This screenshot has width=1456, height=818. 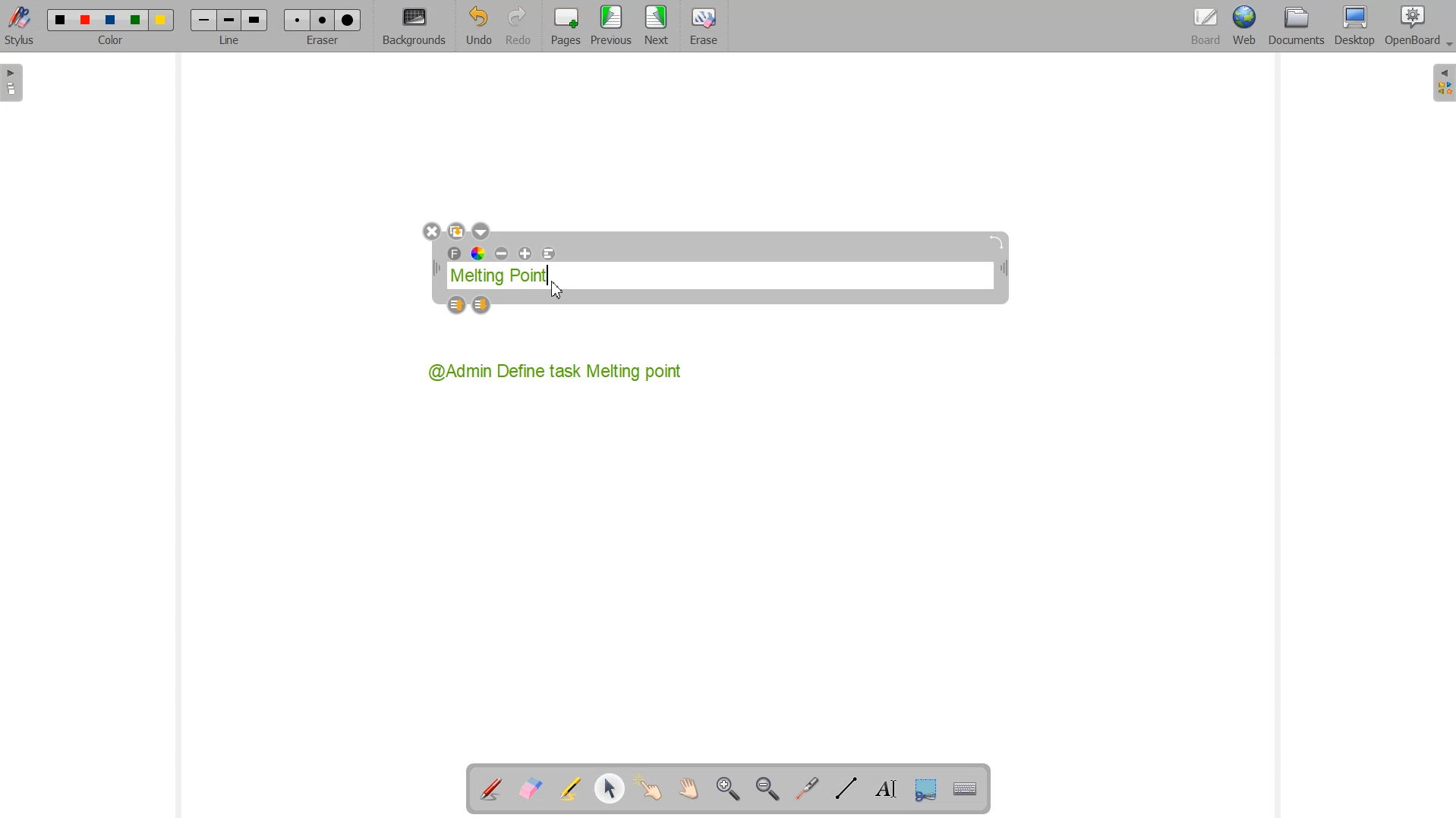 I want to click on Text Cursor, so click(x=547, y=275).